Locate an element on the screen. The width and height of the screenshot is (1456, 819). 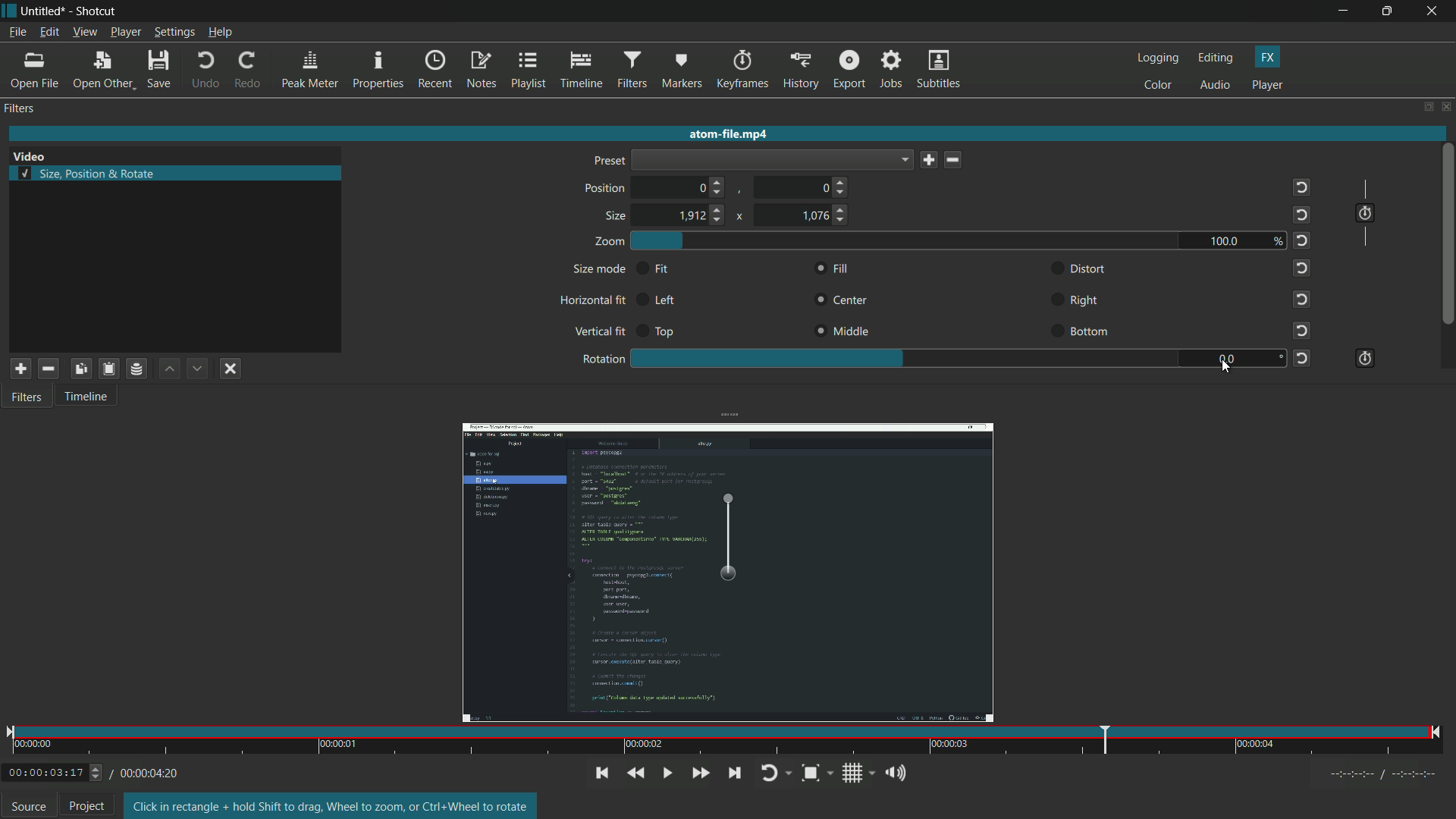
timeline is located at coordinates (84, 395).